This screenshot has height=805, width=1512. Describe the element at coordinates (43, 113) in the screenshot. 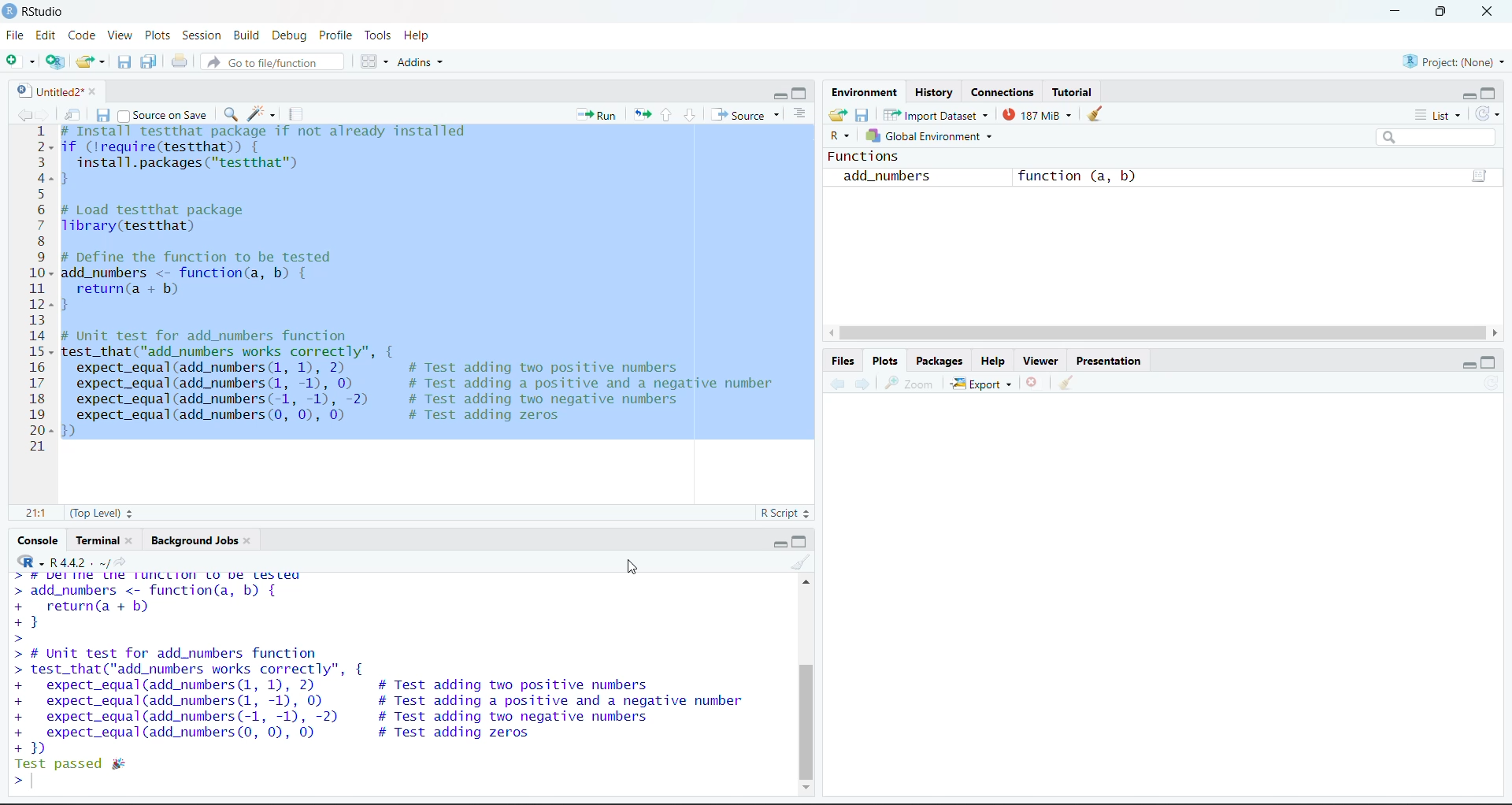

I see `next` at that location.